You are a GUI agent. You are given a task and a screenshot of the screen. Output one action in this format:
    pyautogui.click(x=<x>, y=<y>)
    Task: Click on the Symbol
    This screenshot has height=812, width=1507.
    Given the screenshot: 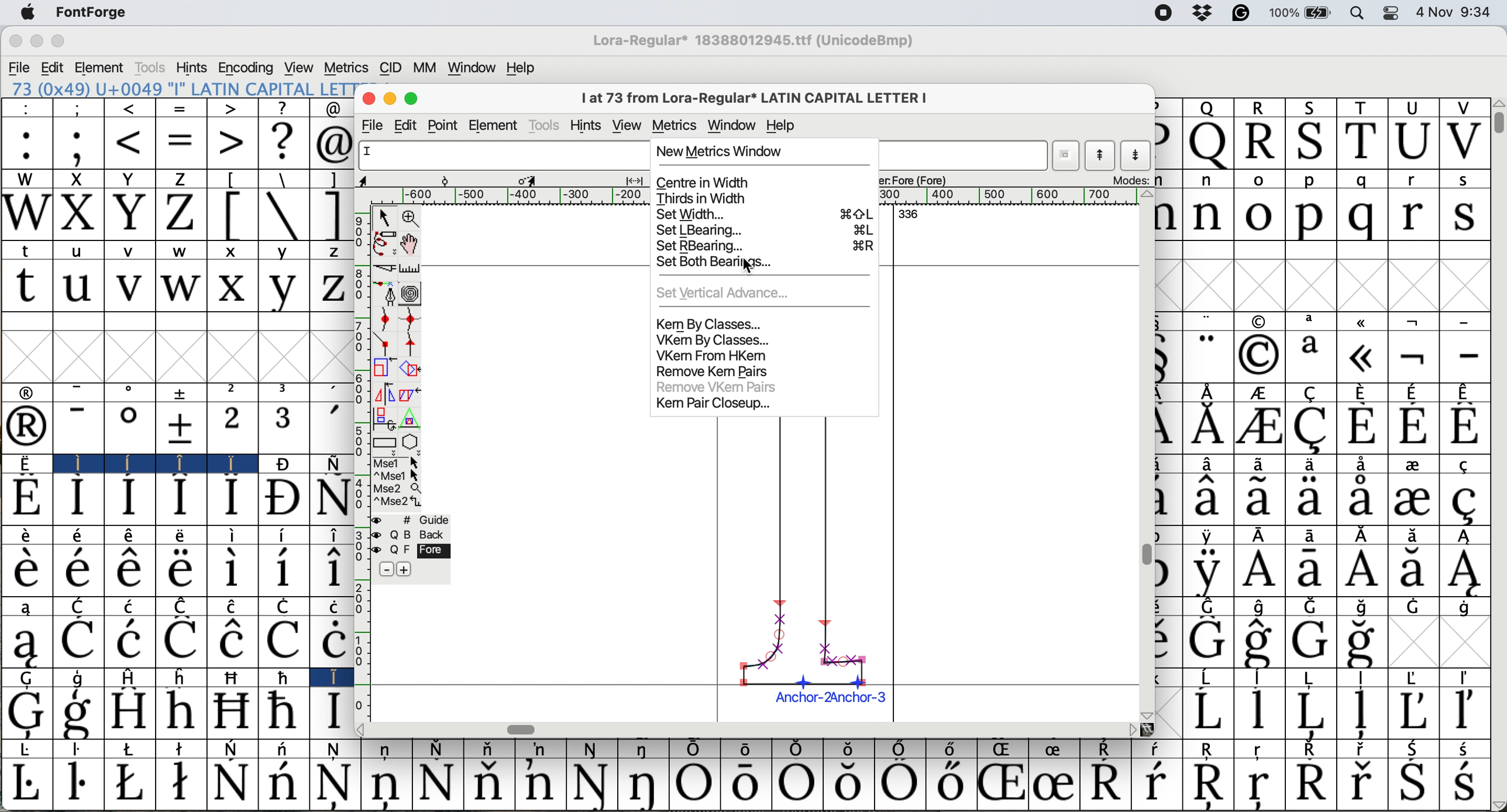 What is the action you would take?
    pyautogui.click(x=1466, y=536)
    